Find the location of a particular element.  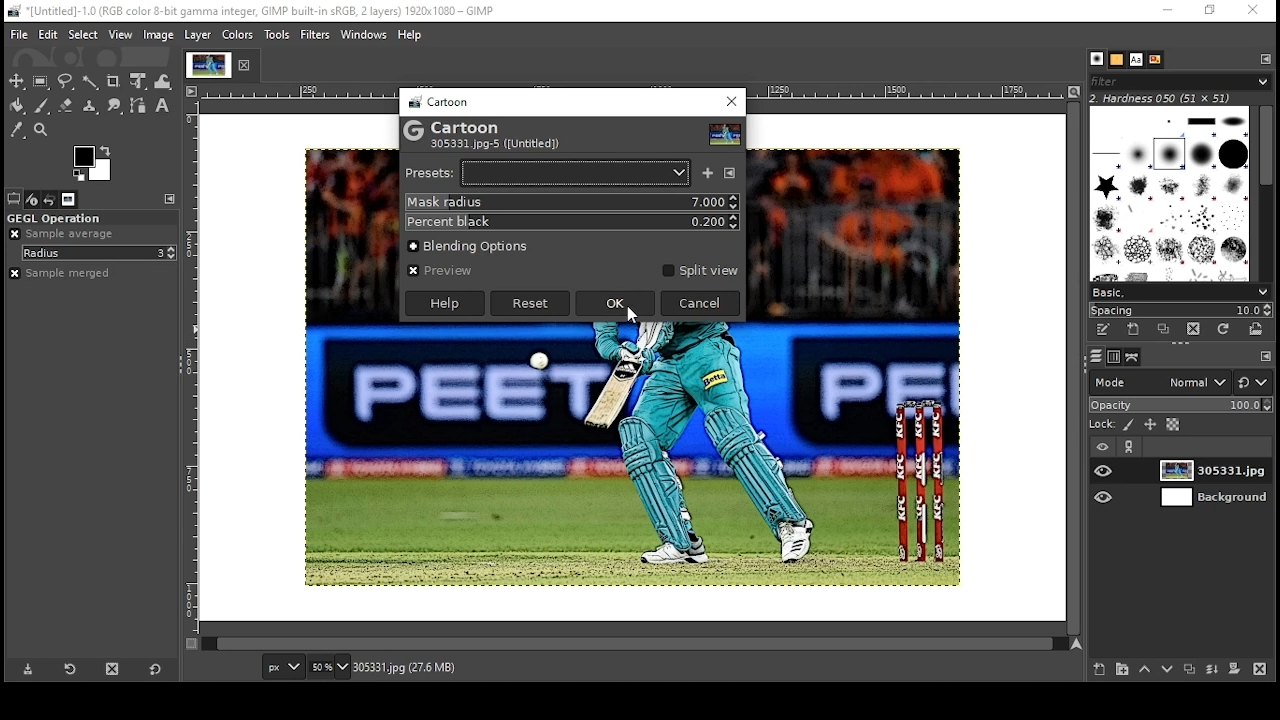

scroll bar is located at coordinates (1264, 194).